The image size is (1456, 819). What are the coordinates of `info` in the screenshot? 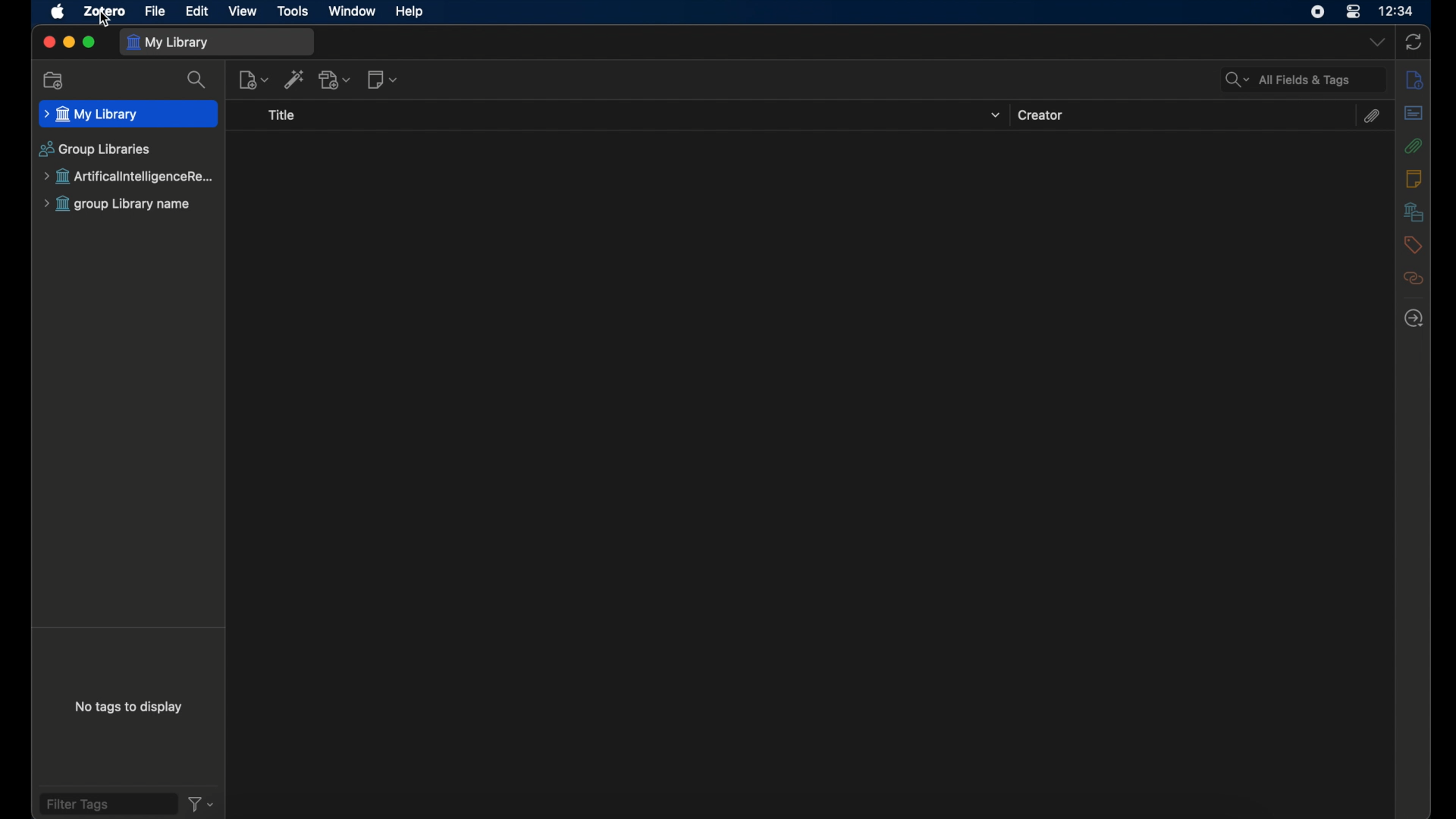 It's located at (1414, 80).